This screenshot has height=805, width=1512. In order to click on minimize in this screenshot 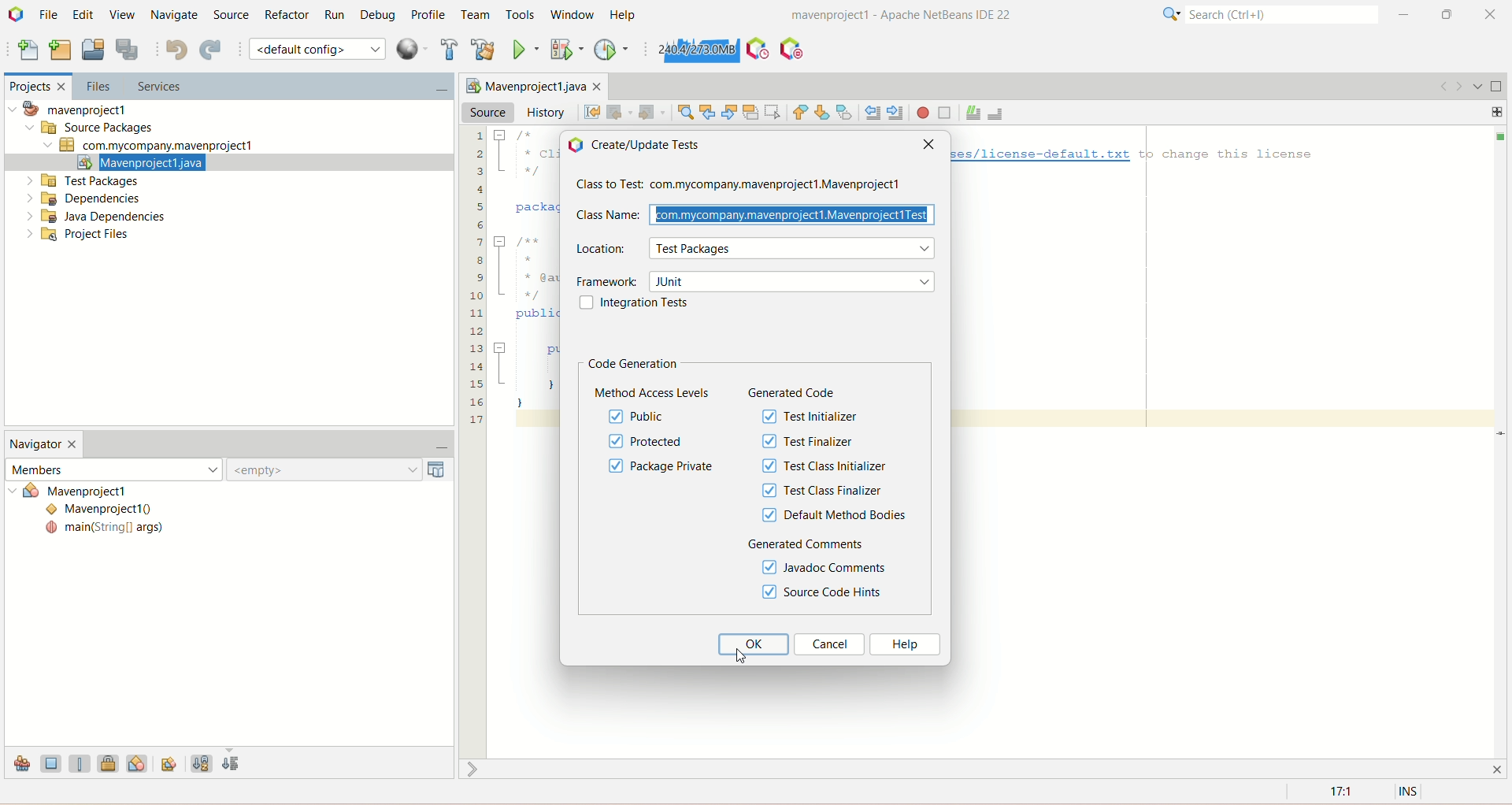, I will do `click(434, 448)`.